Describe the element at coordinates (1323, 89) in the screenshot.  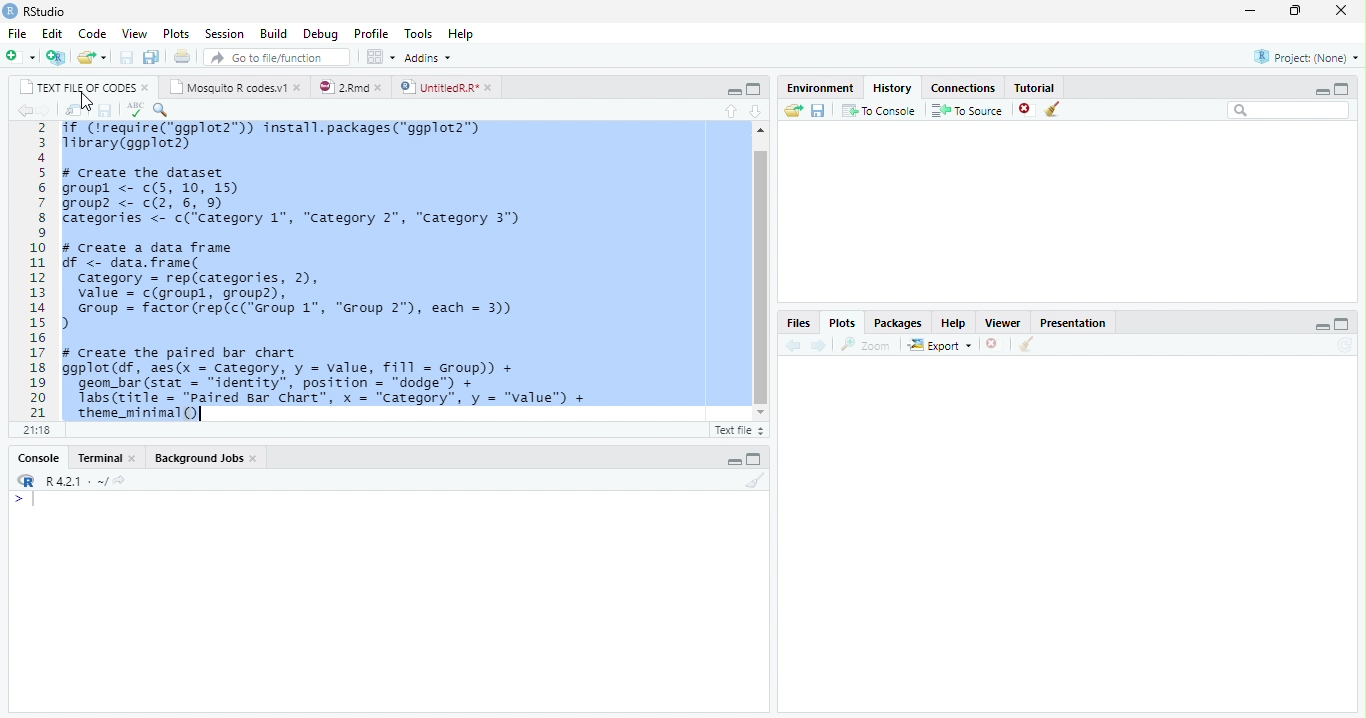
I see `minimize` at that location.